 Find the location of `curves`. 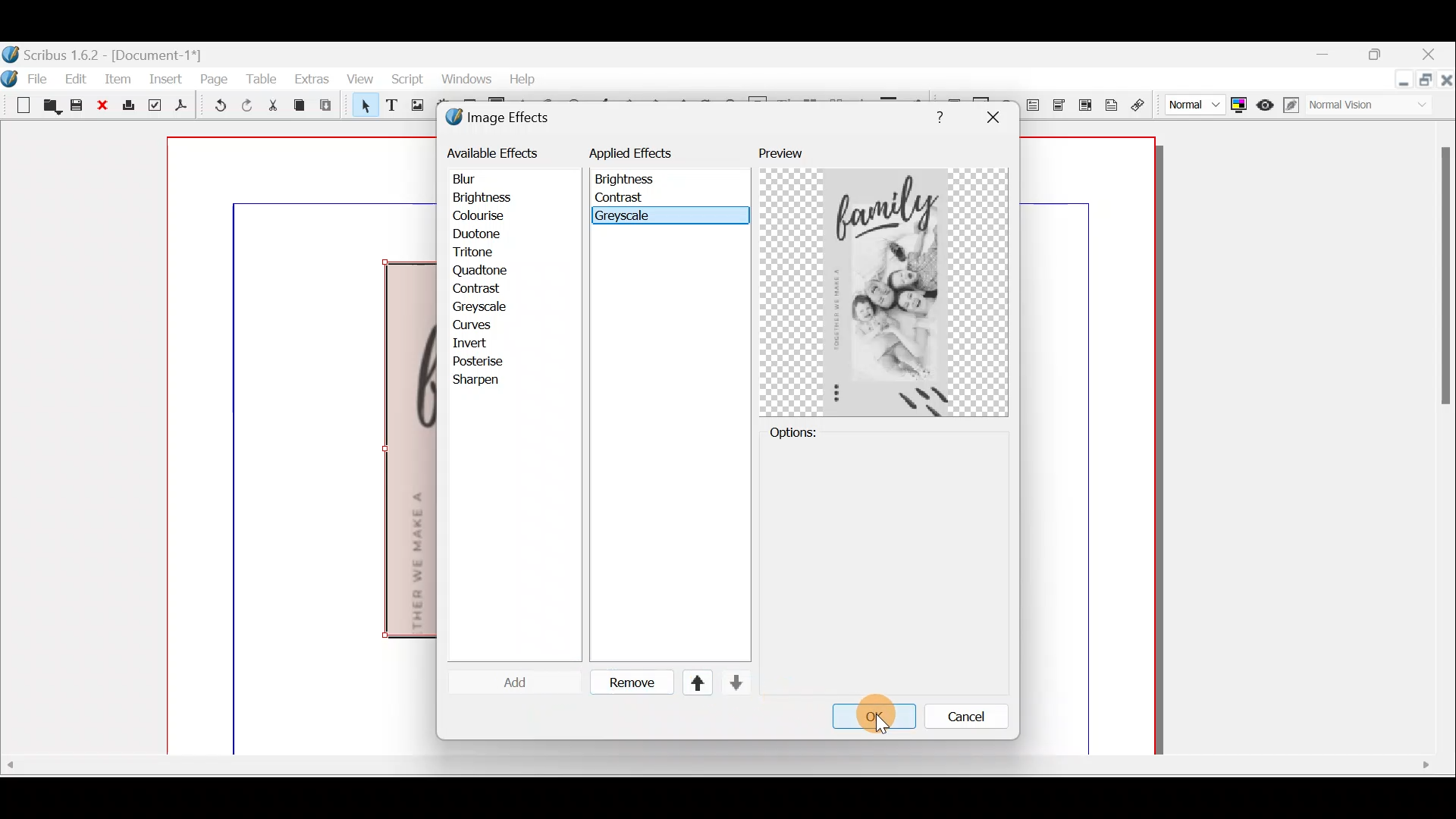

curves is located at coordinates (490, 325).